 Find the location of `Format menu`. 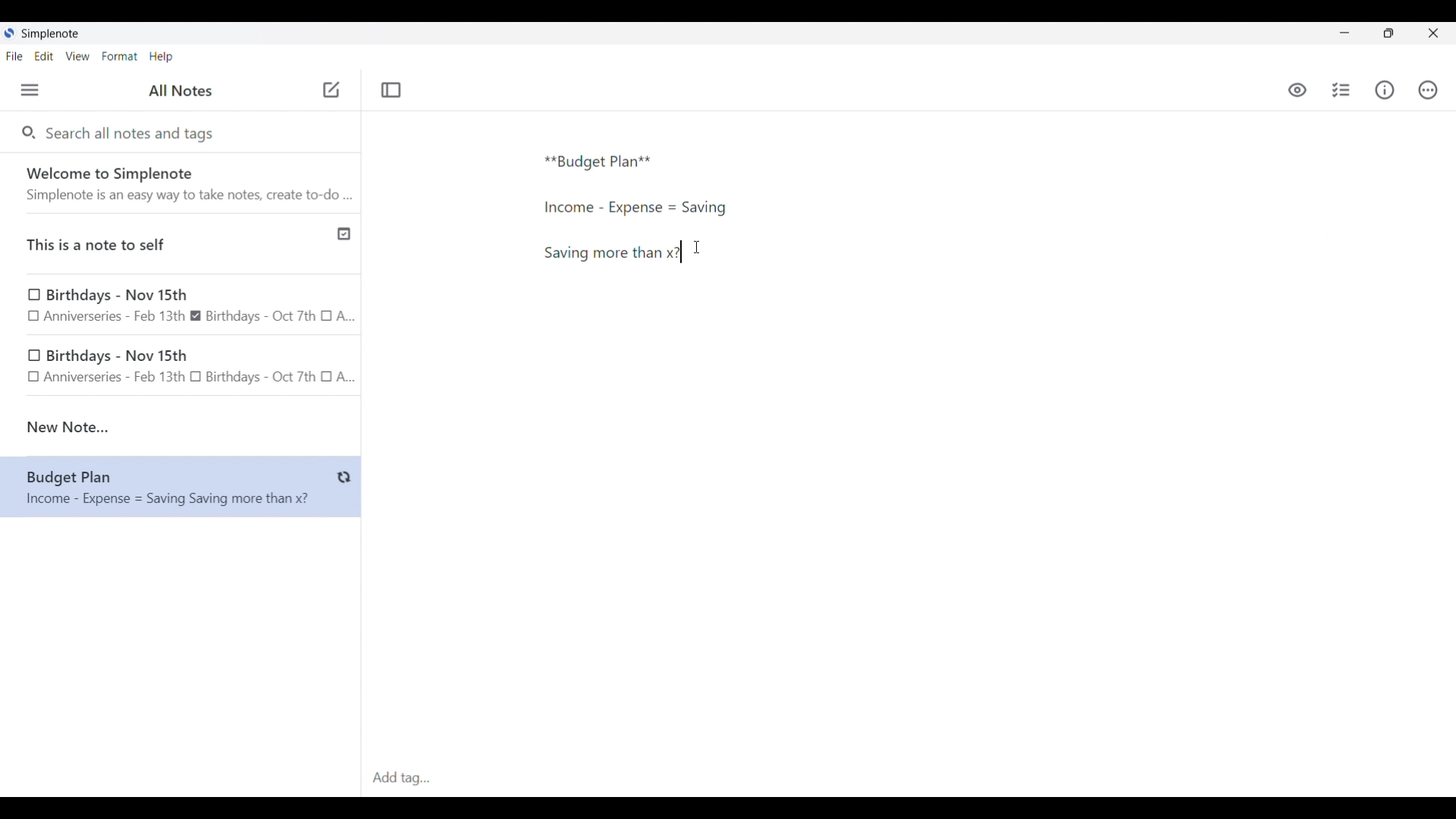

Format menu is located at coordinates (120, 56).